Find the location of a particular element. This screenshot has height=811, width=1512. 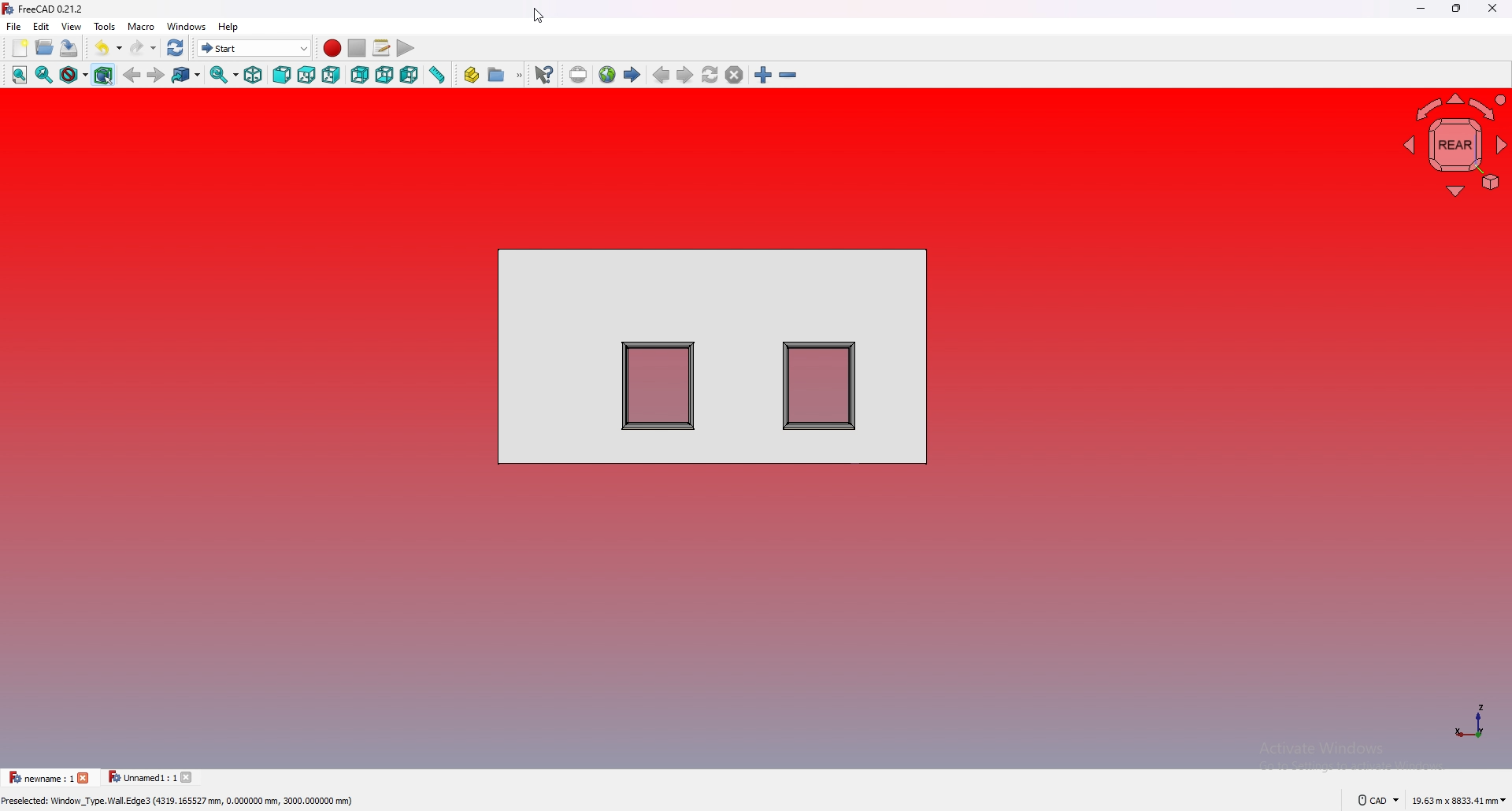

axis is located at coordinates (1473, 720).